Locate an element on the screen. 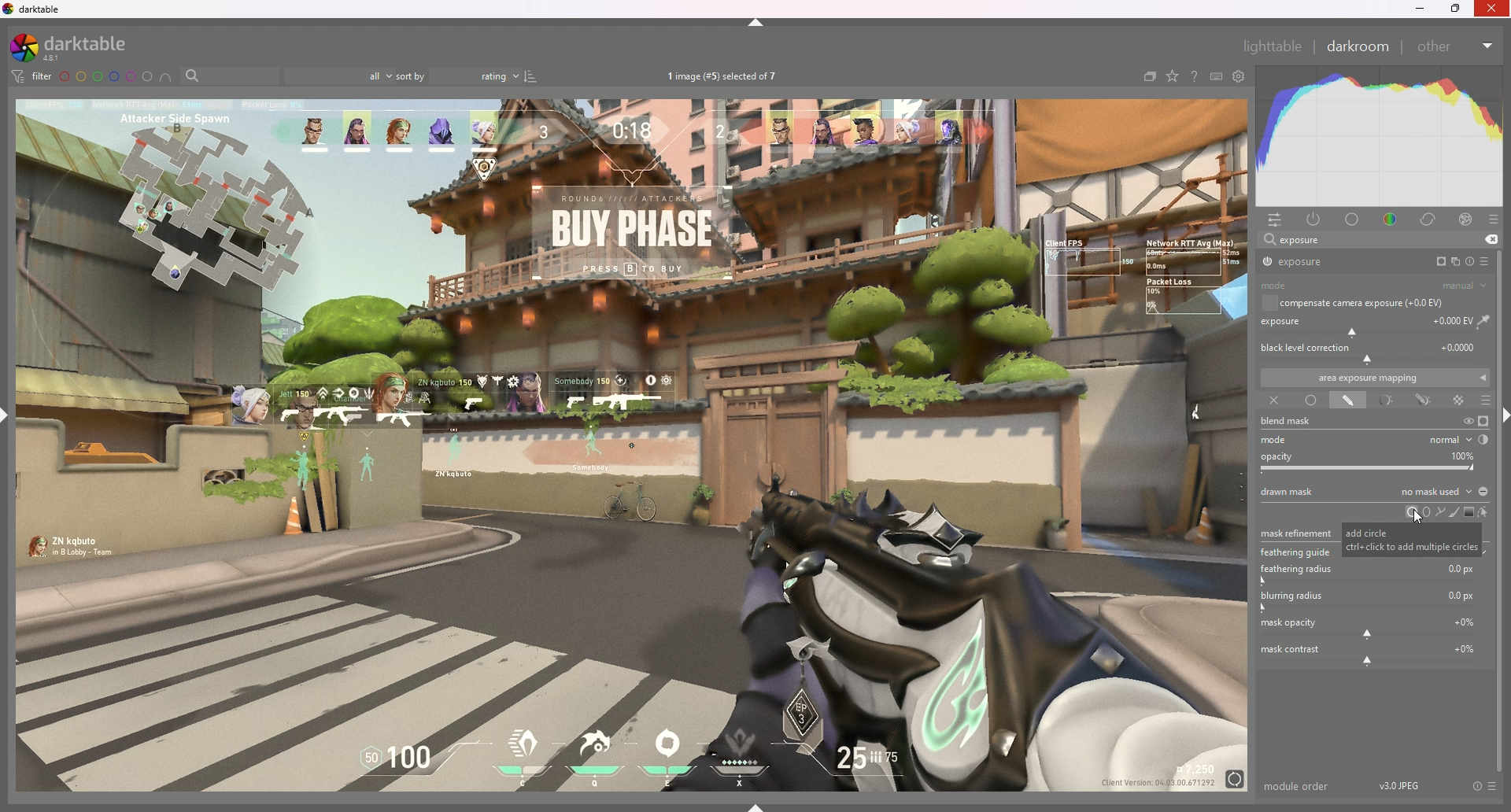 The image size is (1511, 812). include color labels is located at coordinates (168, 77).